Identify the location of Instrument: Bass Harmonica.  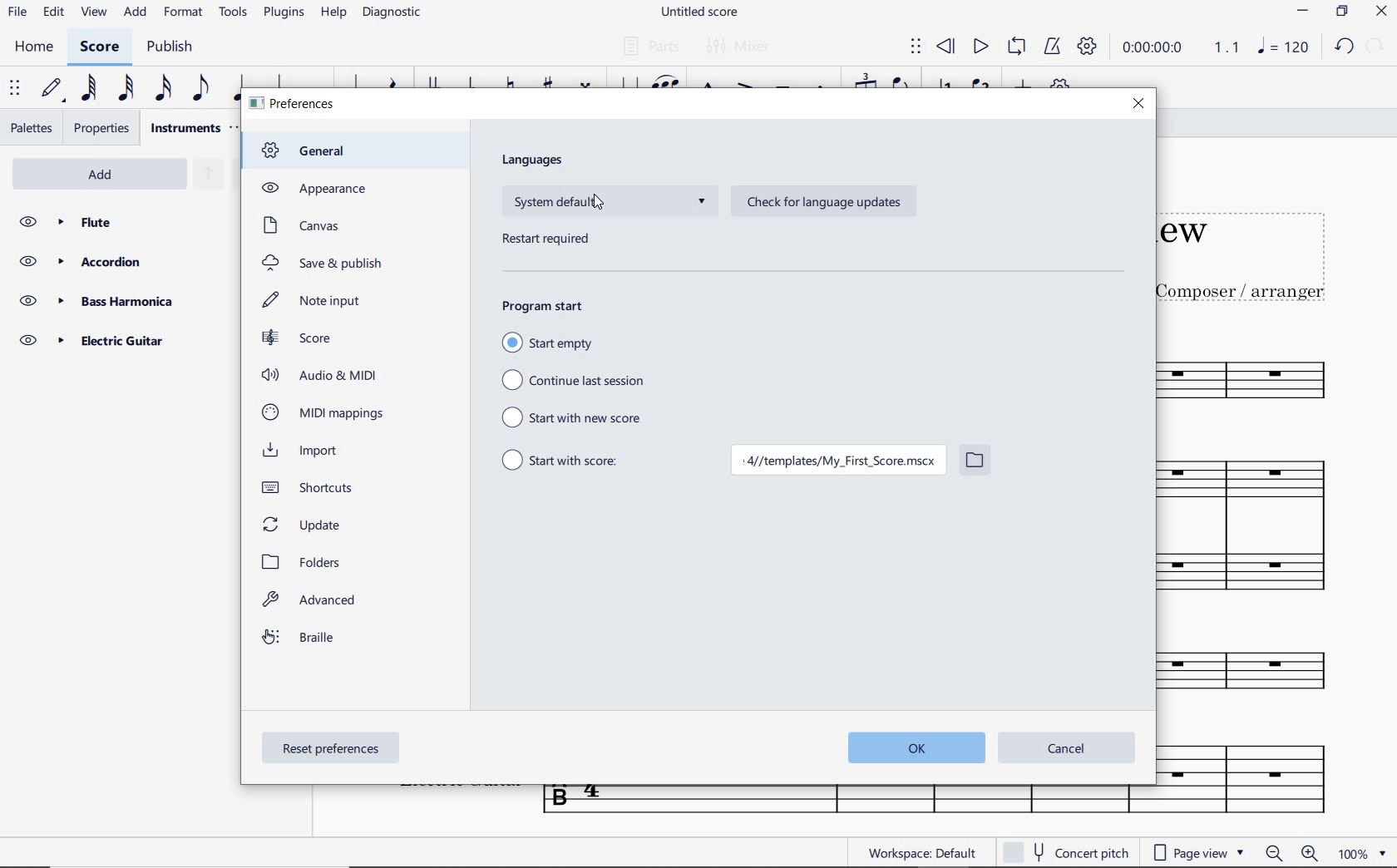
(1266, 675).